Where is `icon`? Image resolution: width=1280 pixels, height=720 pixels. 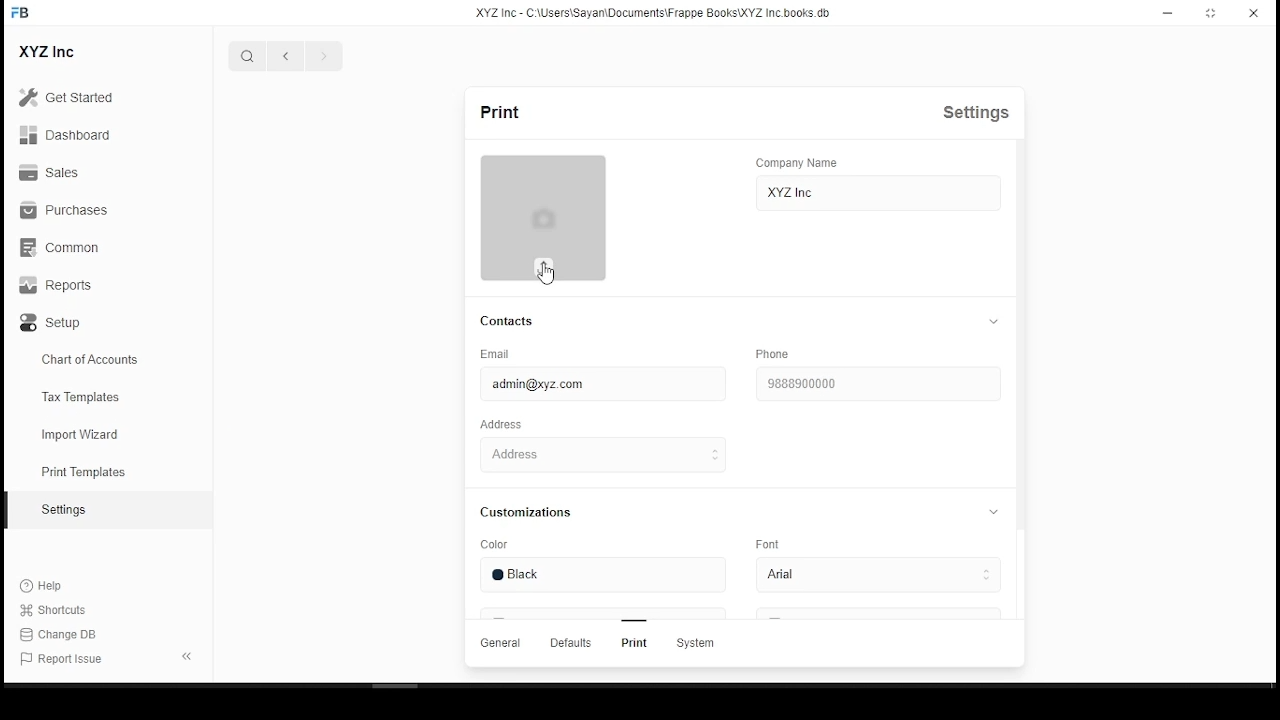
icon is located at coordinates (27, 17).